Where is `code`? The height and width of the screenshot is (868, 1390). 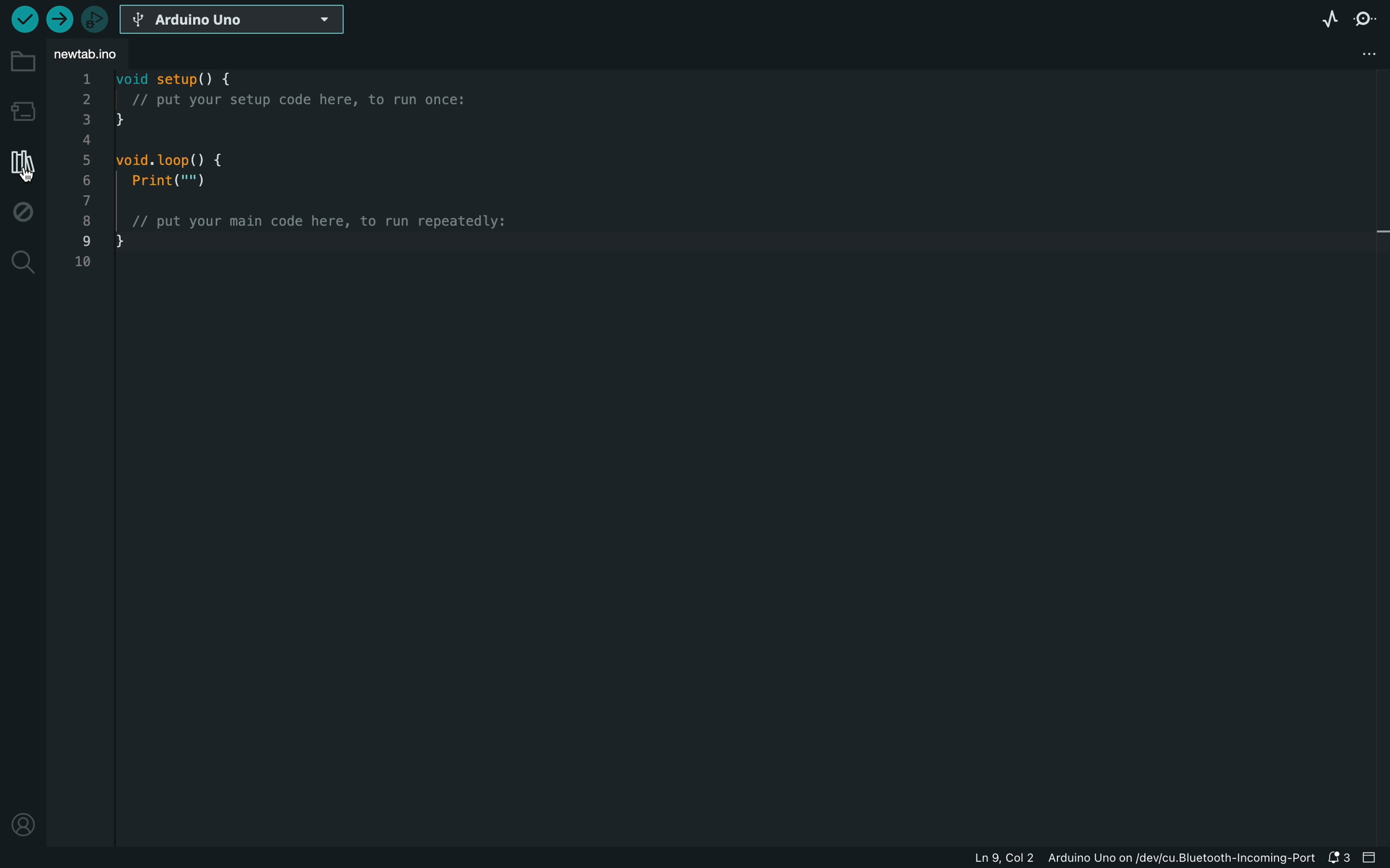
code is located at coordinates (301, 187).